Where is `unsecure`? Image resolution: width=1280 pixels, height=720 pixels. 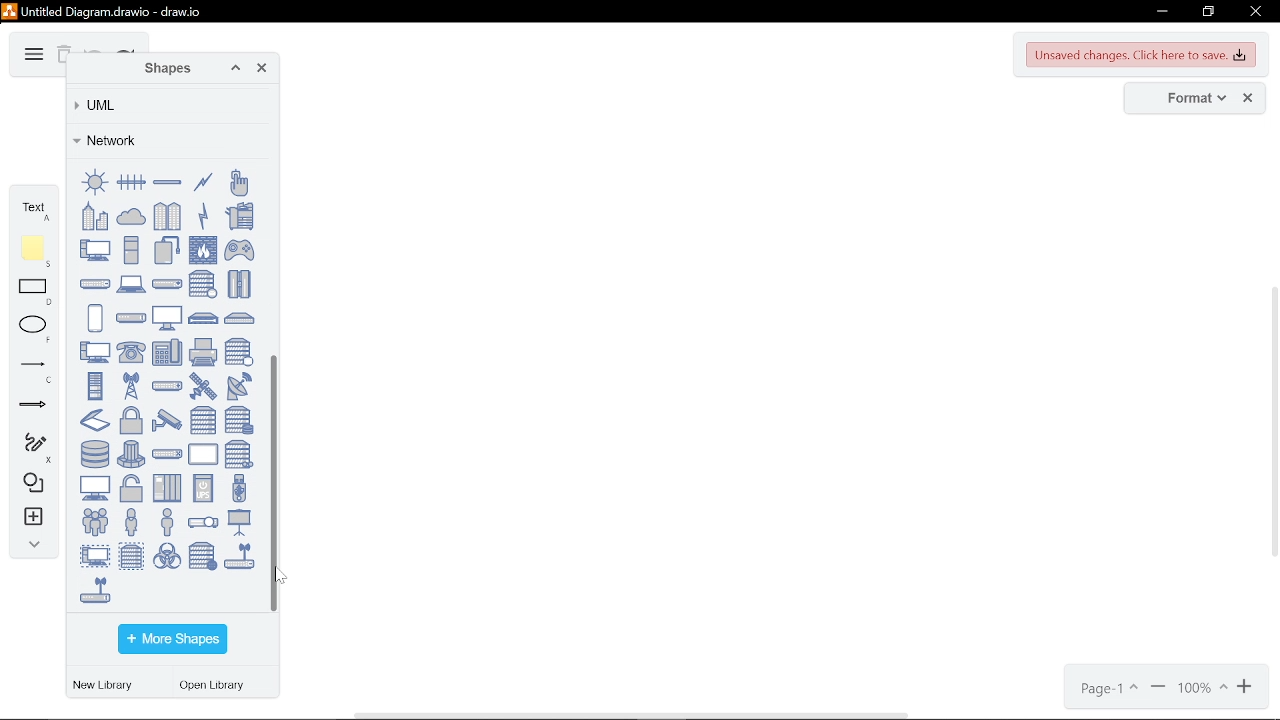
unsecure is located at coordinates (131, 489).